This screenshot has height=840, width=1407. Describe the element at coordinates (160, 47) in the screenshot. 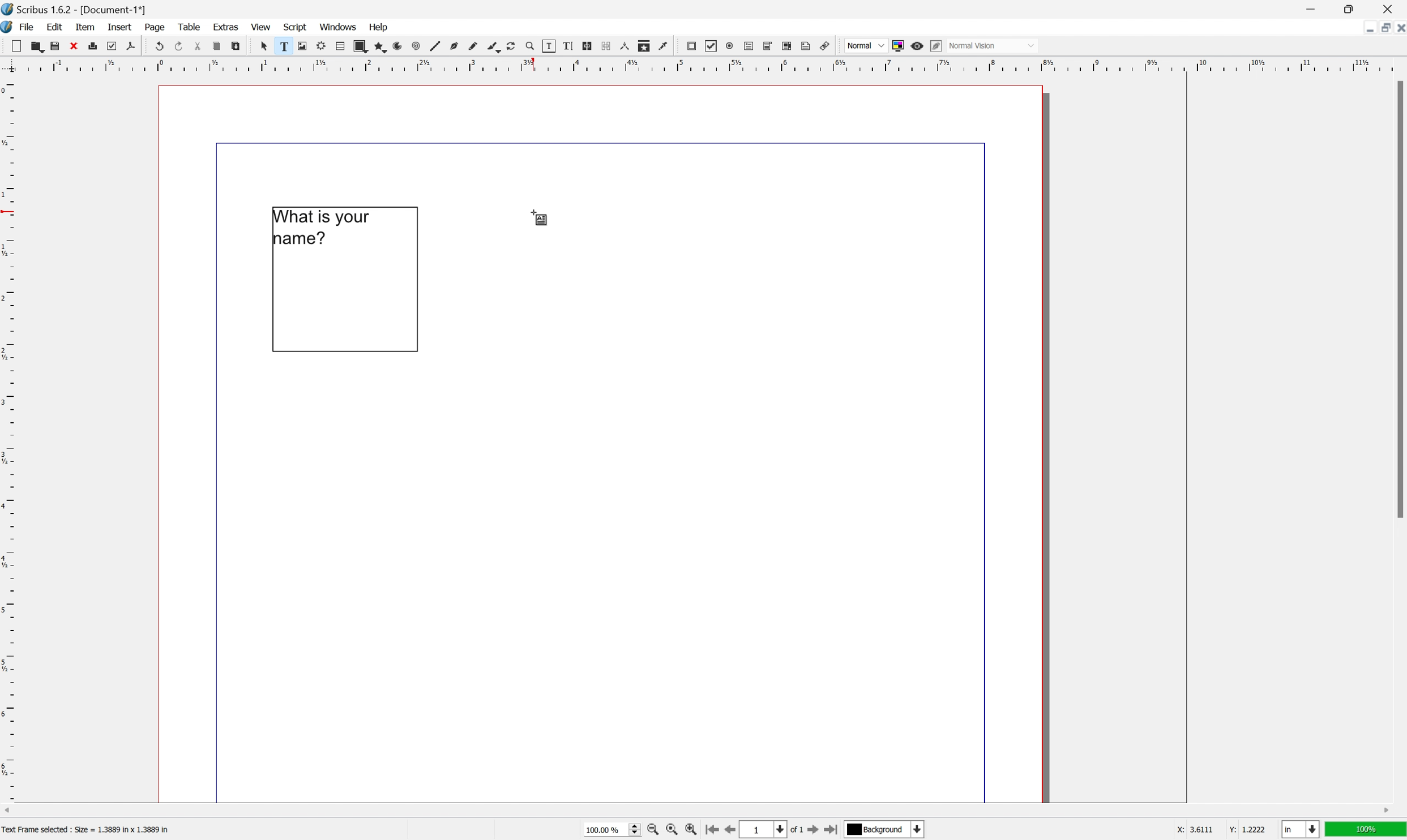

I see `undo` at that location.